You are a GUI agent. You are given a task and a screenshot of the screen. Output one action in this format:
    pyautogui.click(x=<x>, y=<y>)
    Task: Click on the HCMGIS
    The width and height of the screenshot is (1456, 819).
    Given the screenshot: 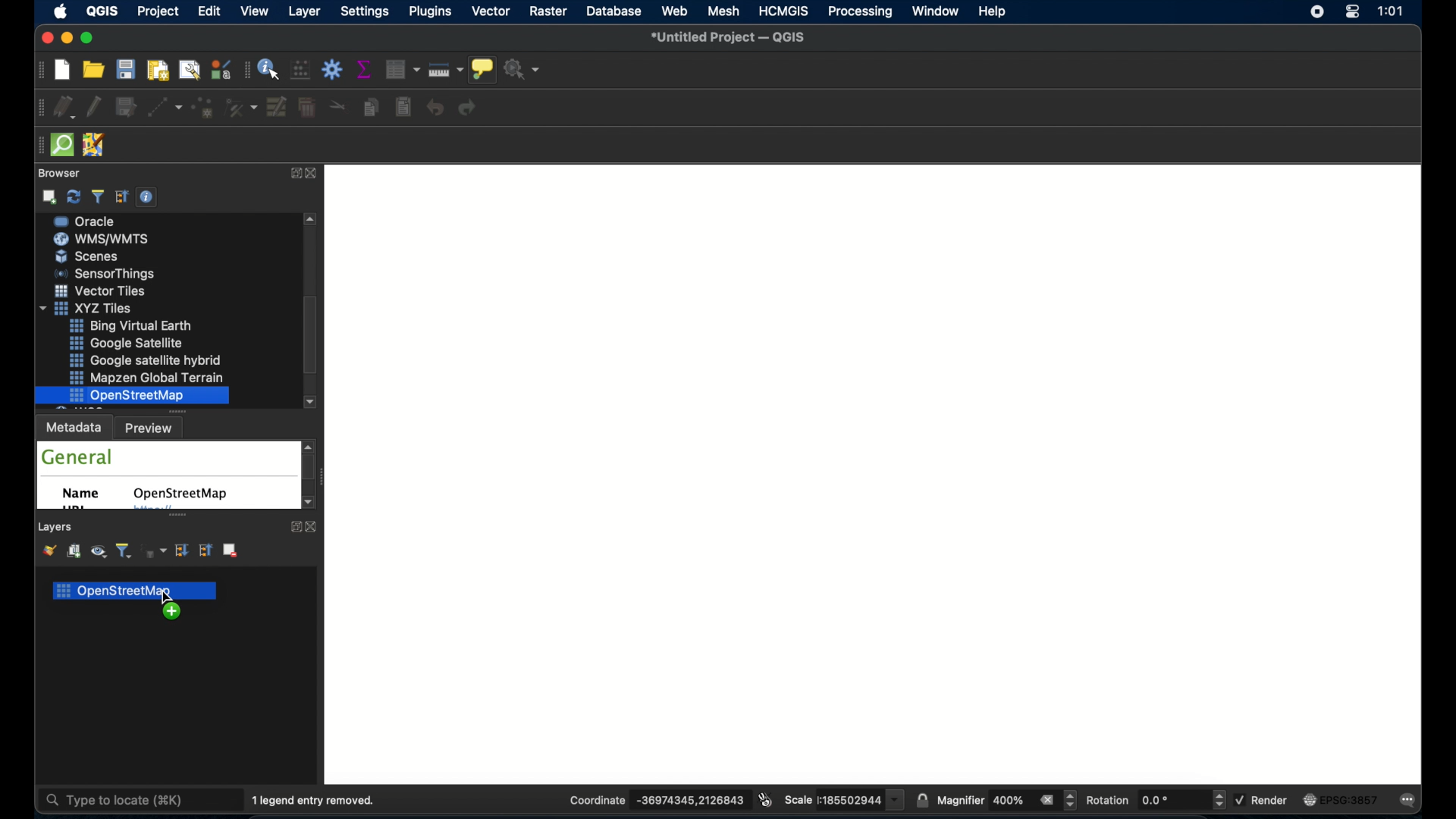 What is the action you would take?
    pyautogui.click(x=783, y=11)
    